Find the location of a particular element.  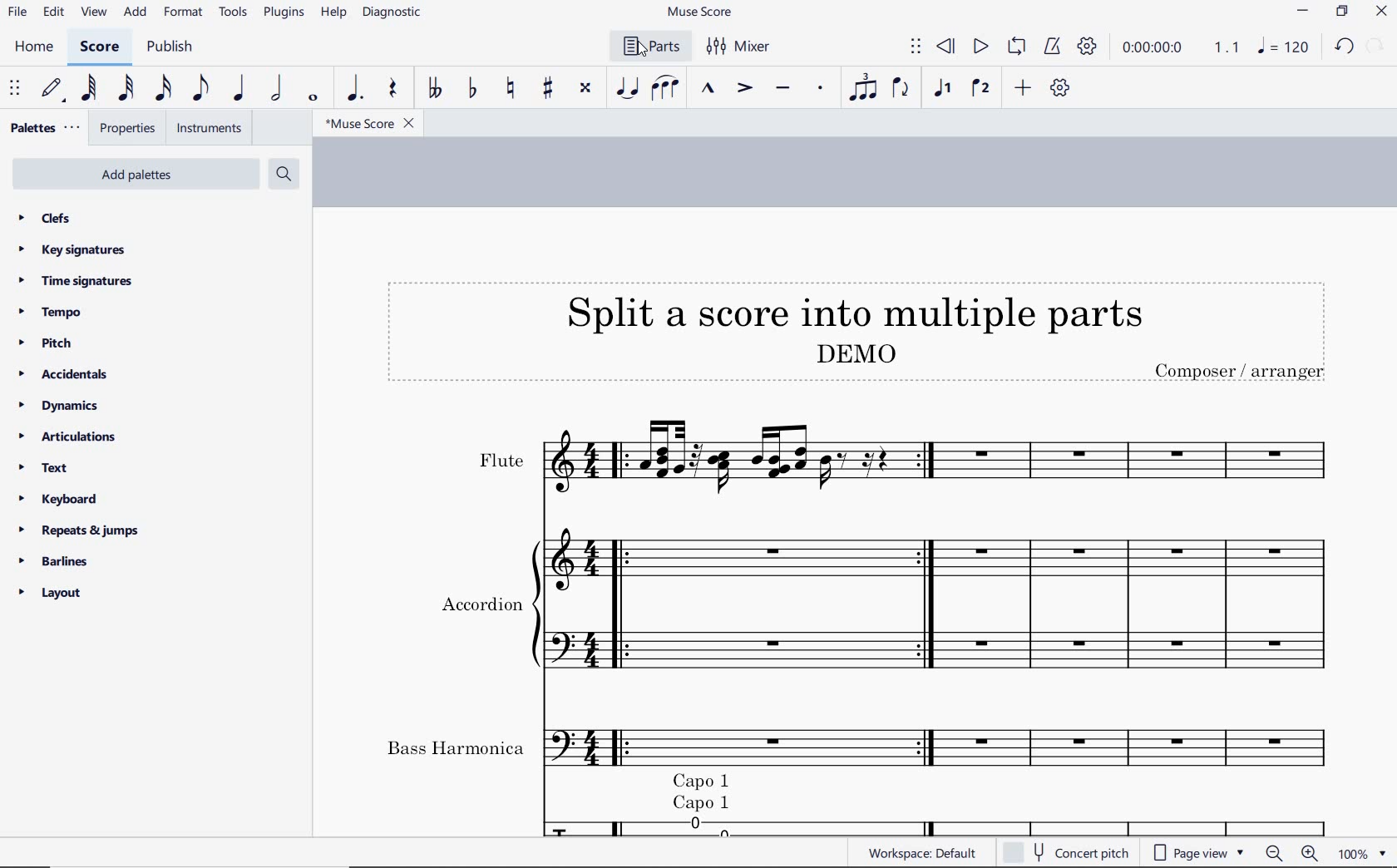

Instrument: Bass Harmonica is located at coordinates (836, 746).